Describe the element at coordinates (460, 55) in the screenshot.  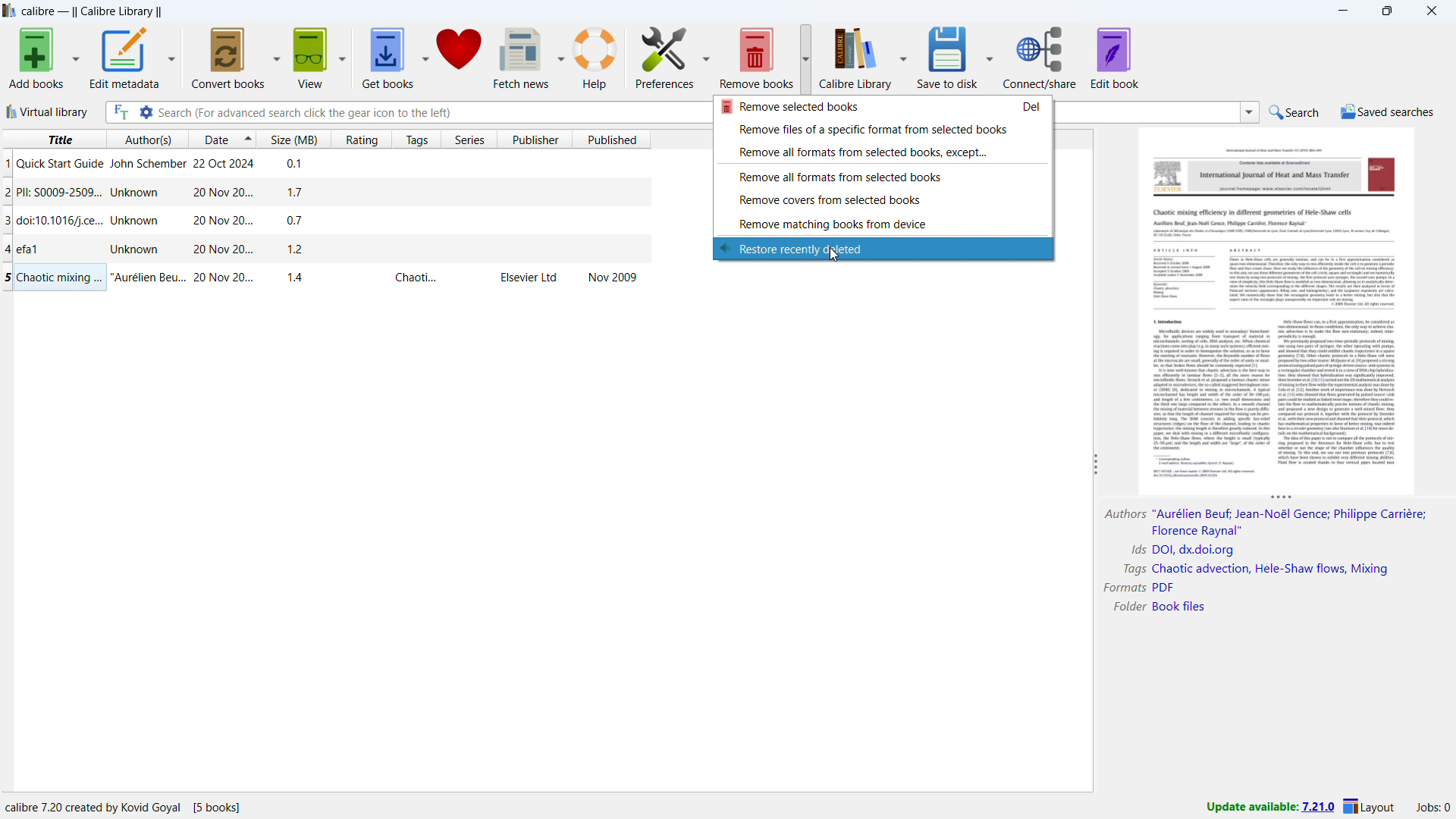
I see `donate to calibre` at that location.